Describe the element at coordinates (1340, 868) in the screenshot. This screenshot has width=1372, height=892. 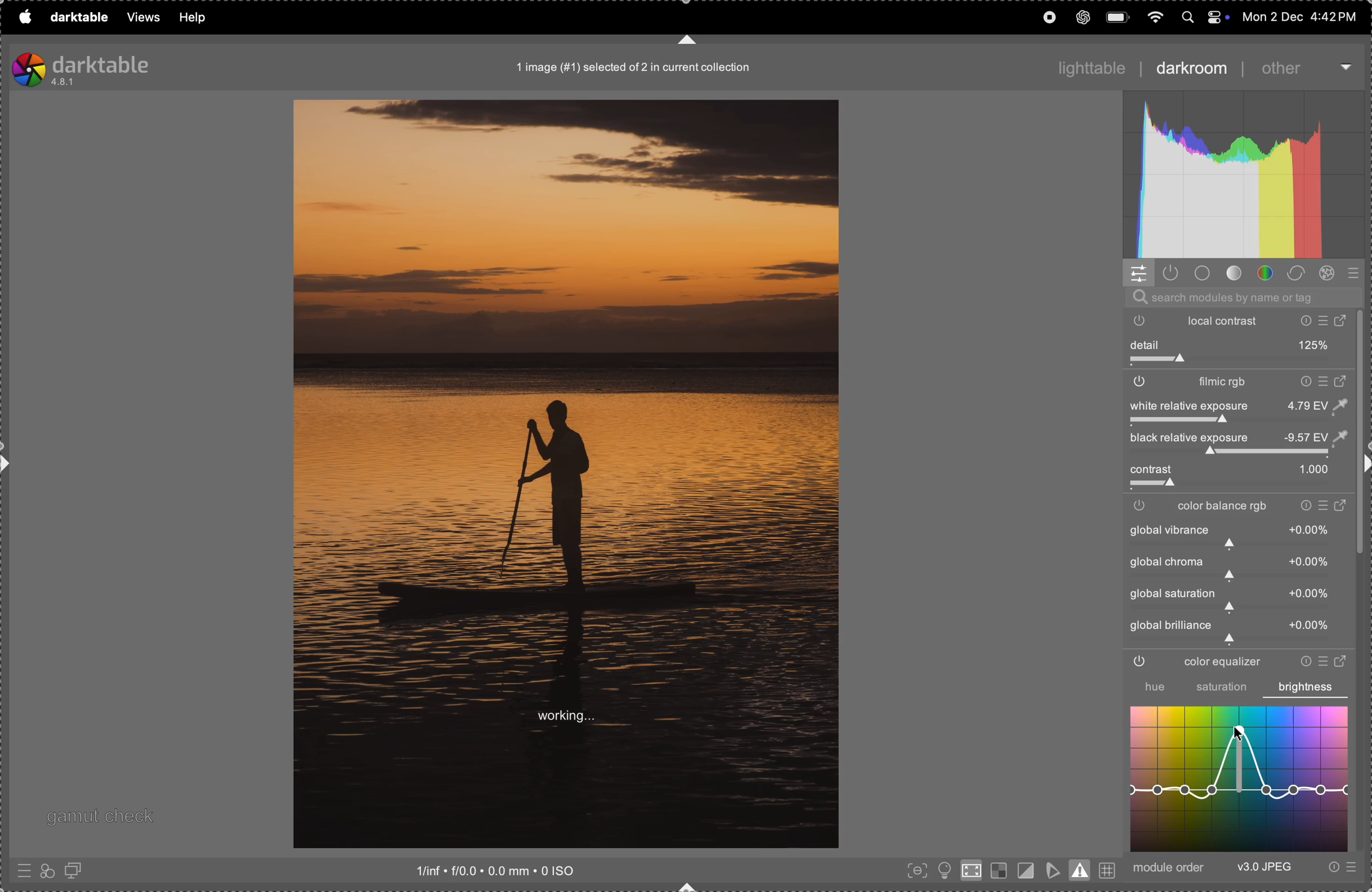
I see `presets` at that location.